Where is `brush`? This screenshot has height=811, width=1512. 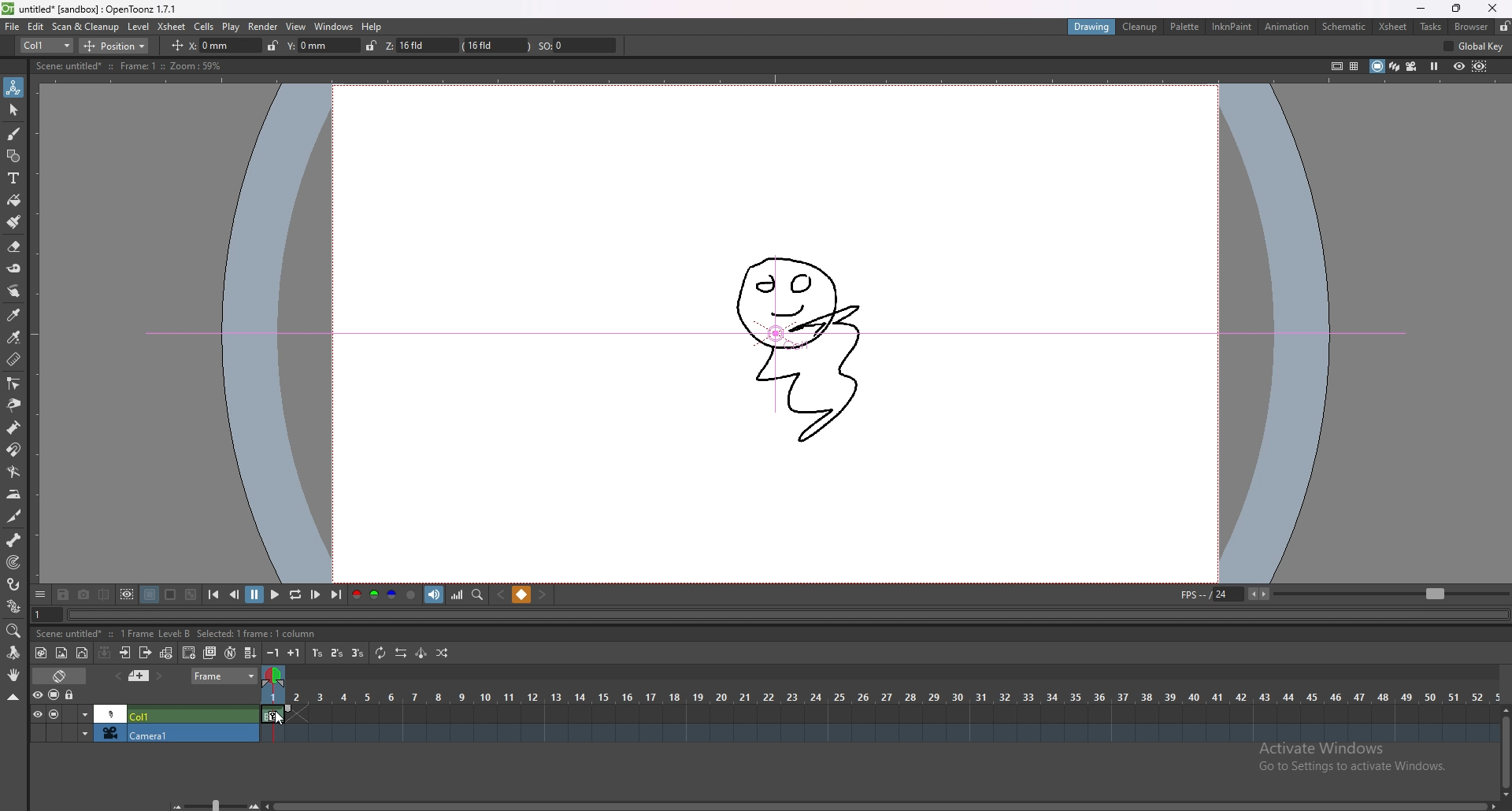
brush is located at coordinates (14, 222).